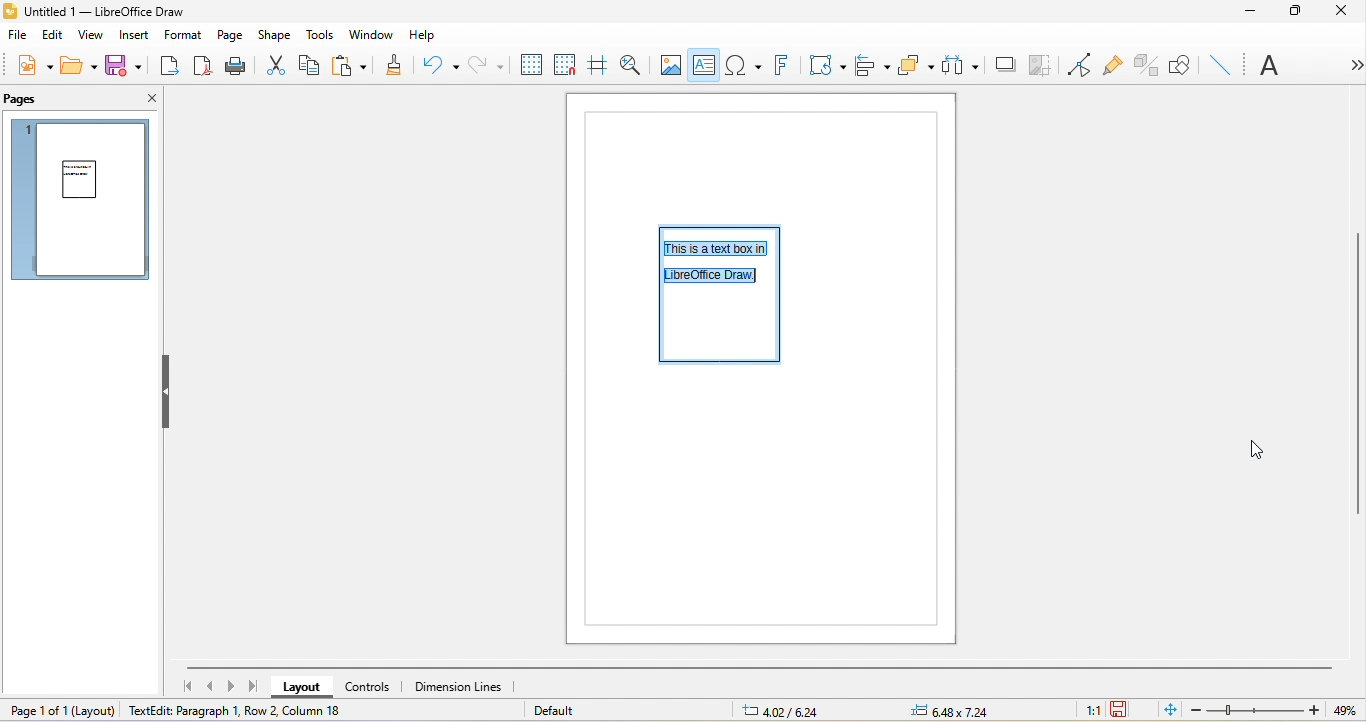 Image resolution: width=1366 pixels, height=722 pixels. I want to click on minimize, so click(1249, 12).